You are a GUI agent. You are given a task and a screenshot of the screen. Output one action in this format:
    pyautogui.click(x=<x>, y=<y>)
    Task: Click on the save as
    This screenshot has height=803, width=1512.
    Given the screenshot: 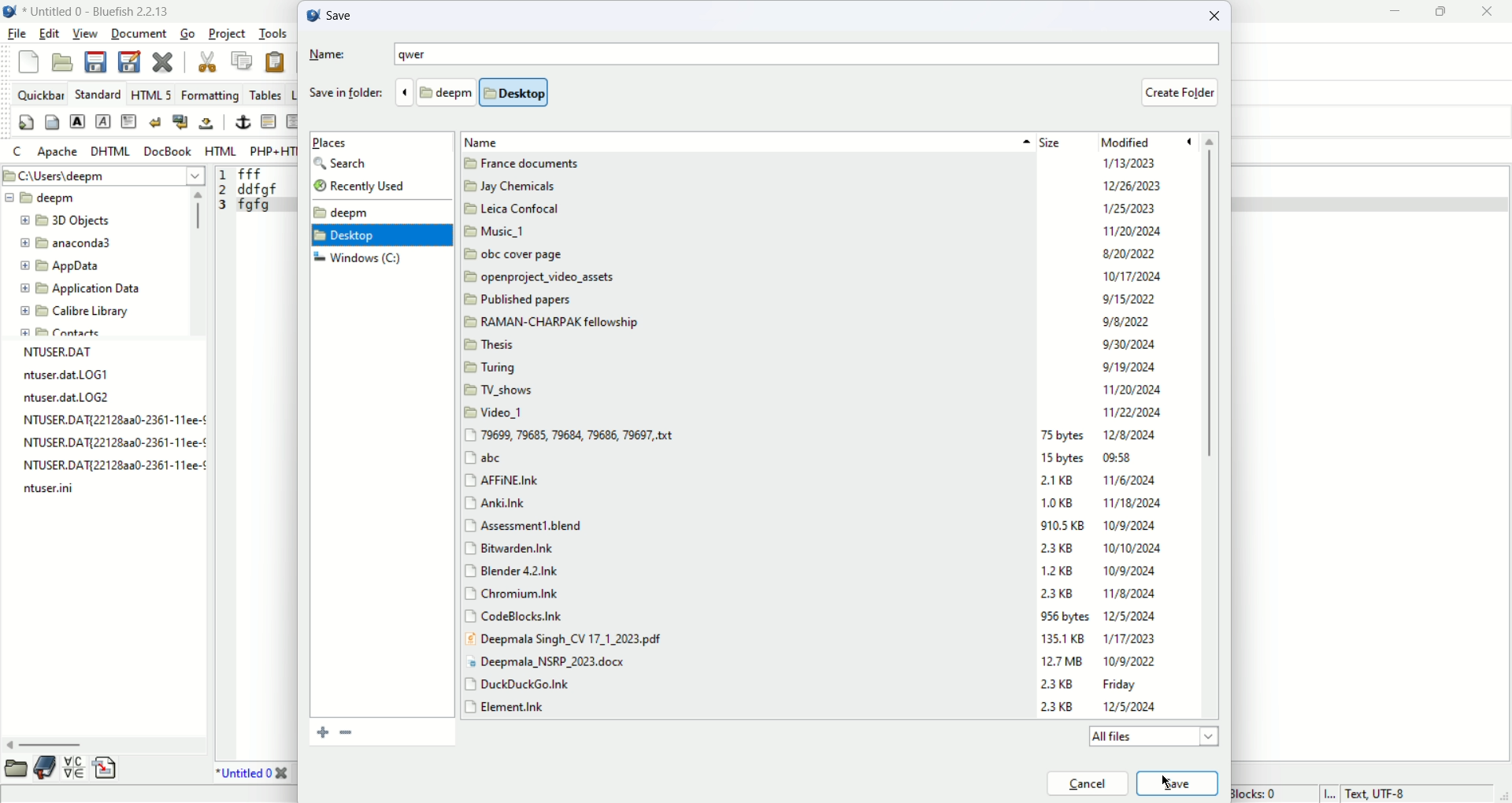 What is the action you would take?
    pyautogui.click(x=132, y=61)
    